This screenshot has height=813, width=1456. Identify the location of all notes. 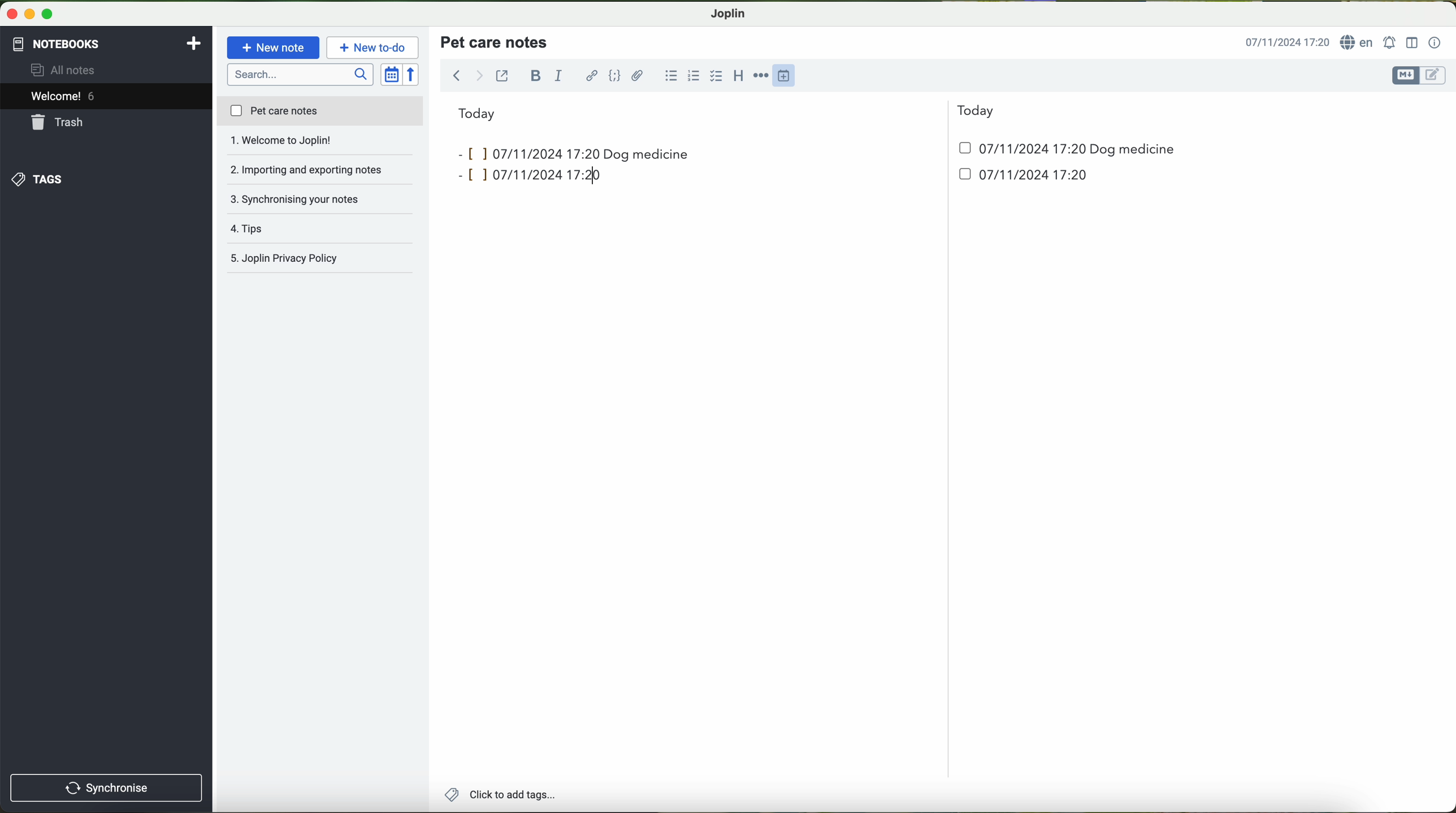
(66, 71).